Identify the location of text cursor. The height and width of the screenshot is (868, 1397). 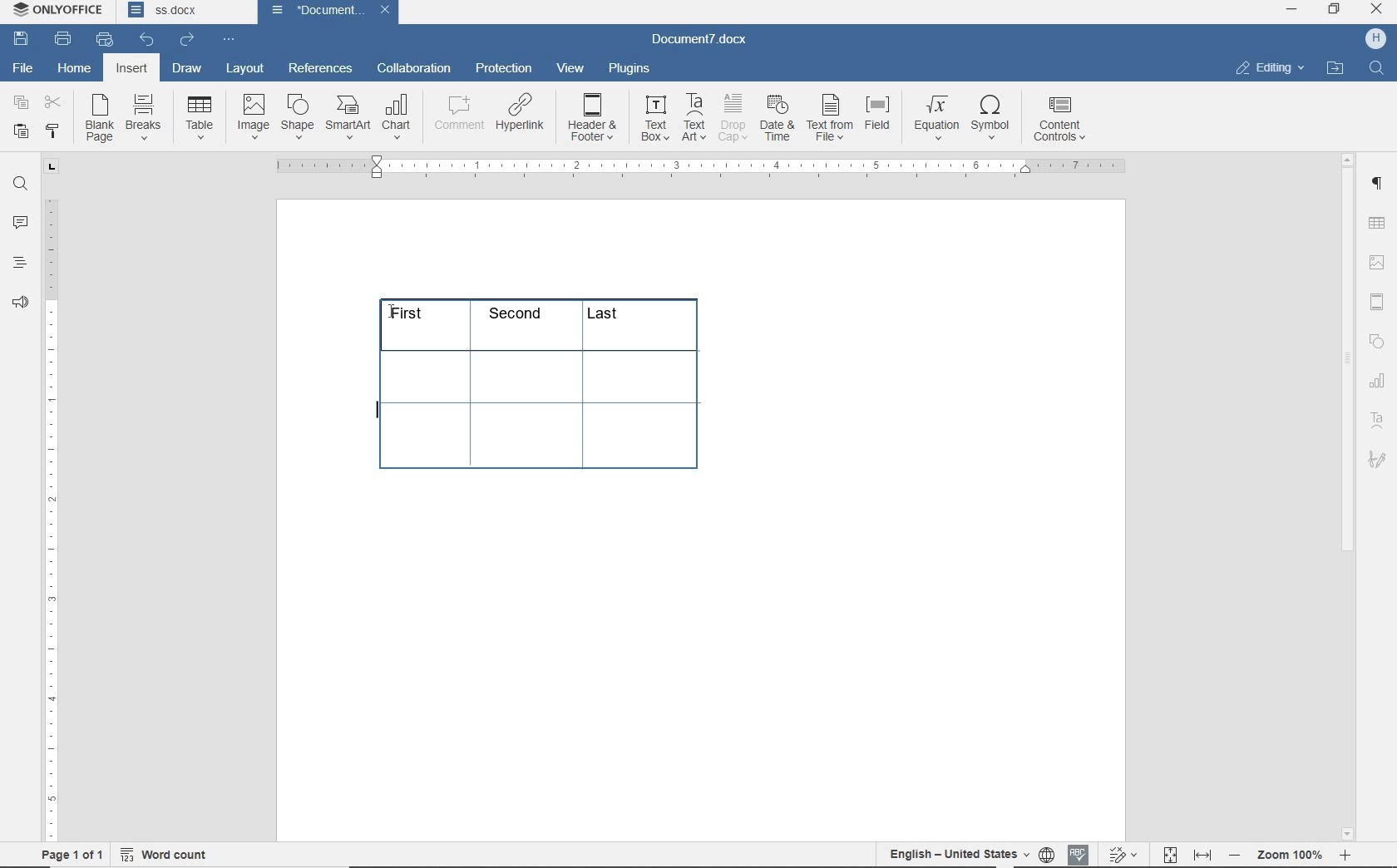
(388, 310).